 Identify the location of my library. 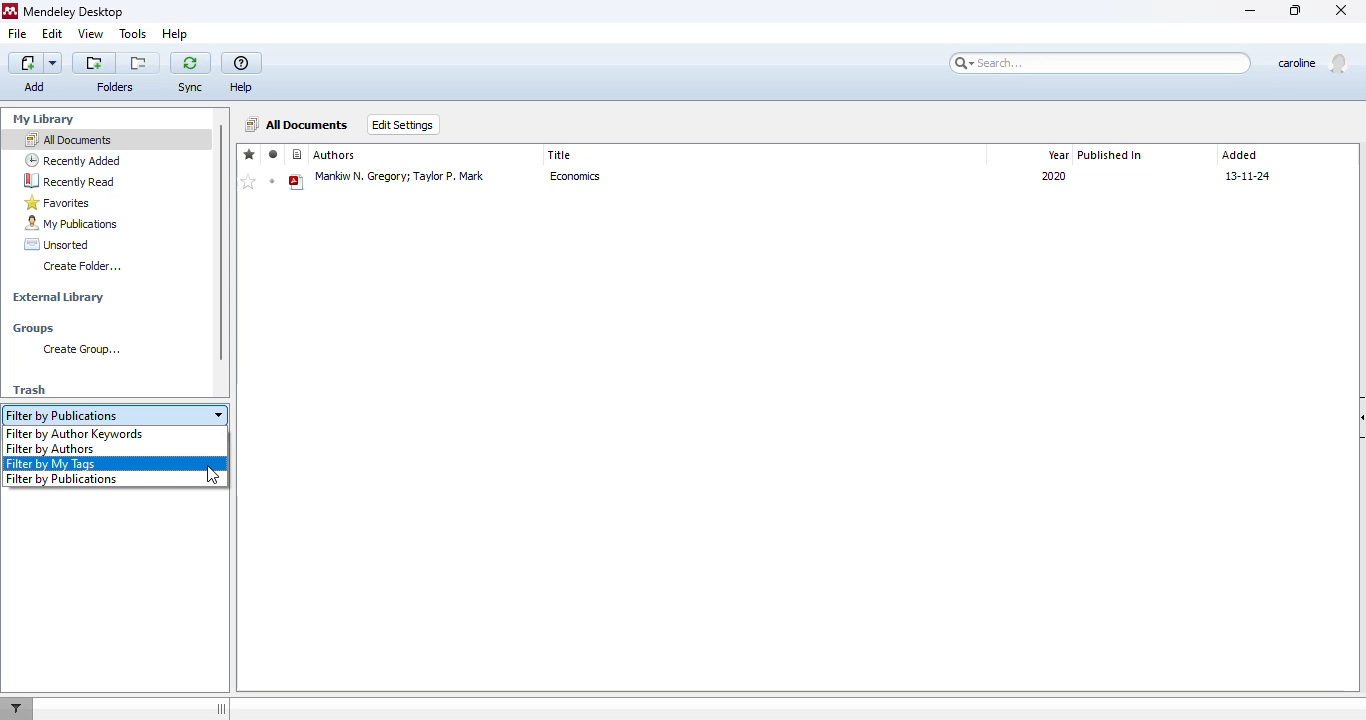
(44, 119).